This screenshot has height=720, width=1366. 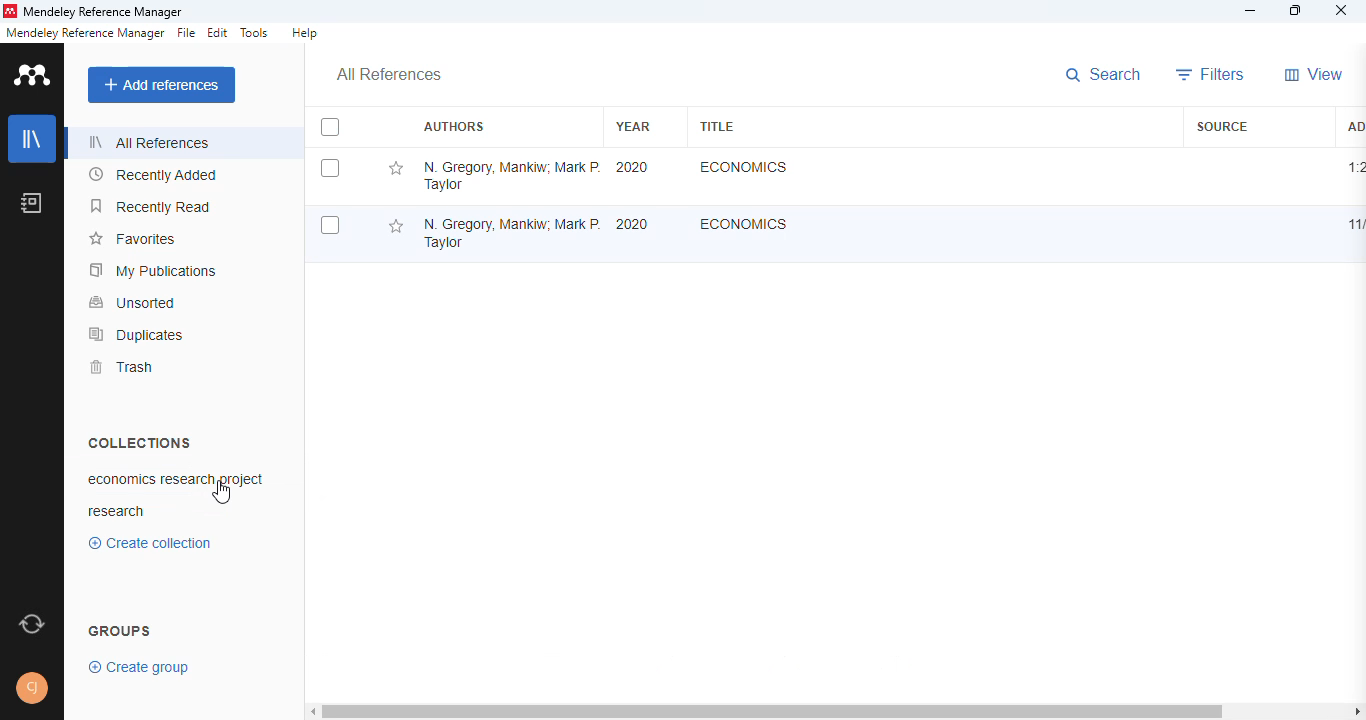 What do you see at coordinates (32, 202) in the screenshot?
I see `notebook` at bounding box center [32, 202].